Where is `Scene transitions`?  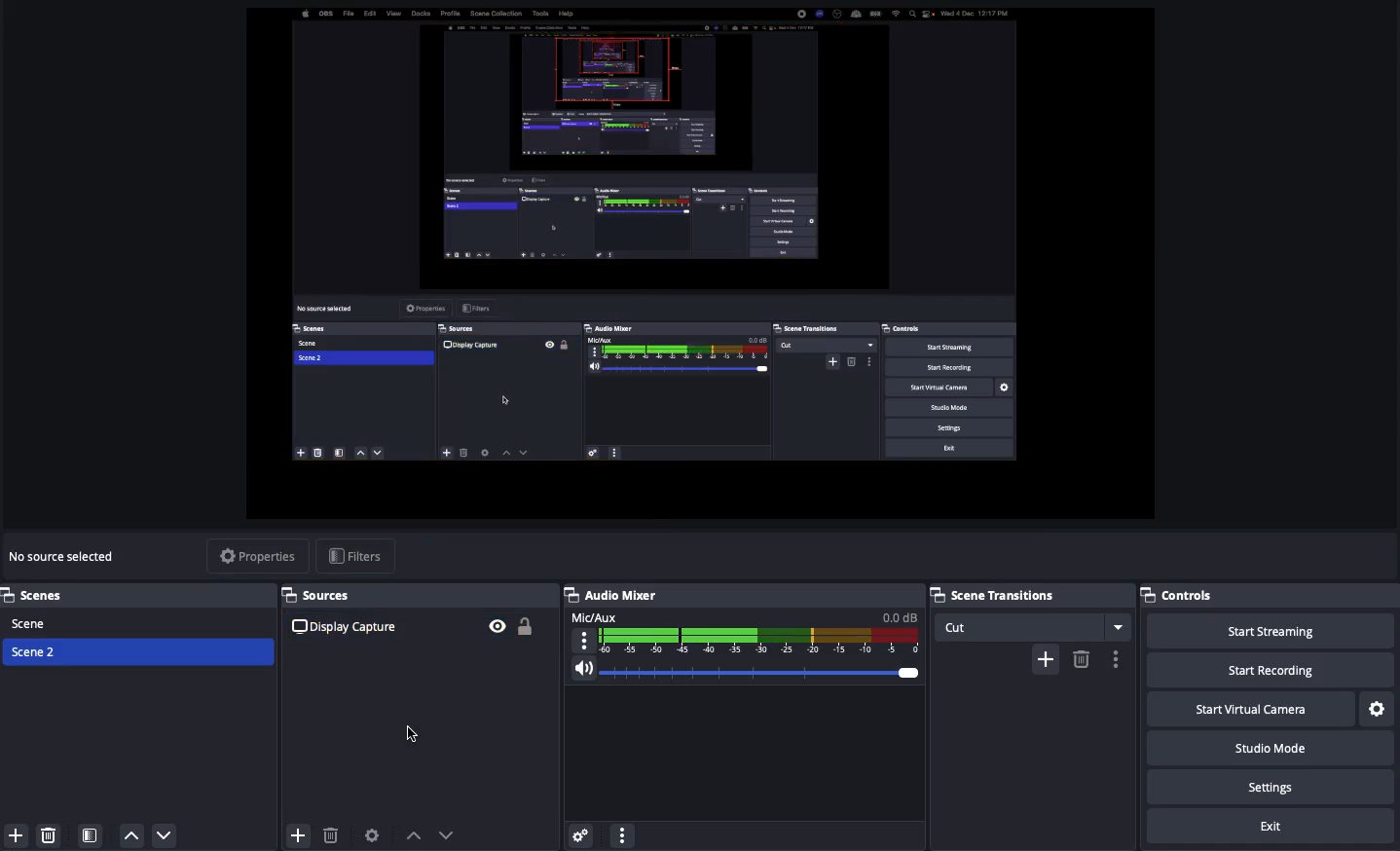 Scene transitions is located at coordinates (1026, 596).